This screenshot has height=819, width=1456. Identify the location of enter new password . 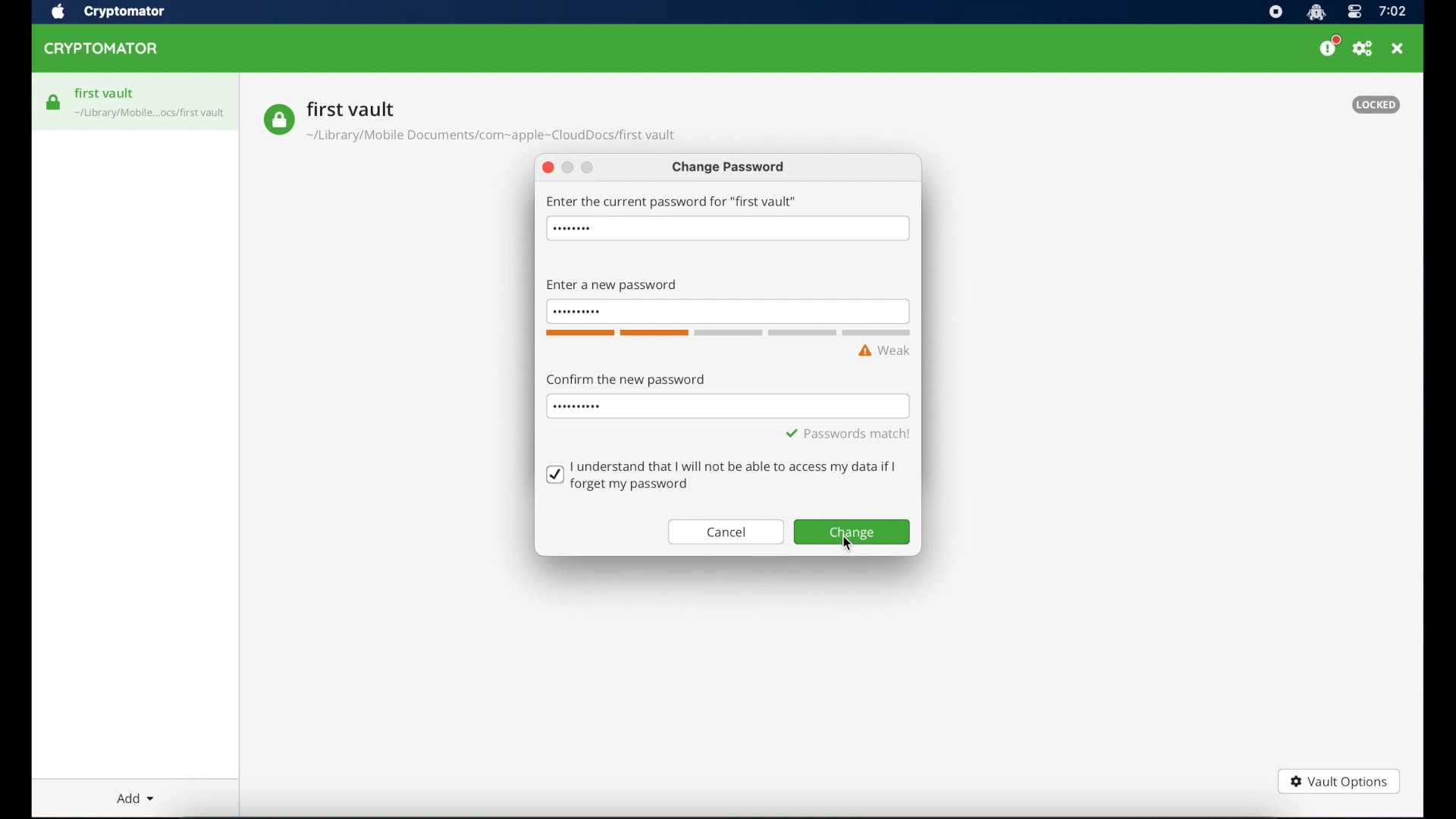
(611, 286).